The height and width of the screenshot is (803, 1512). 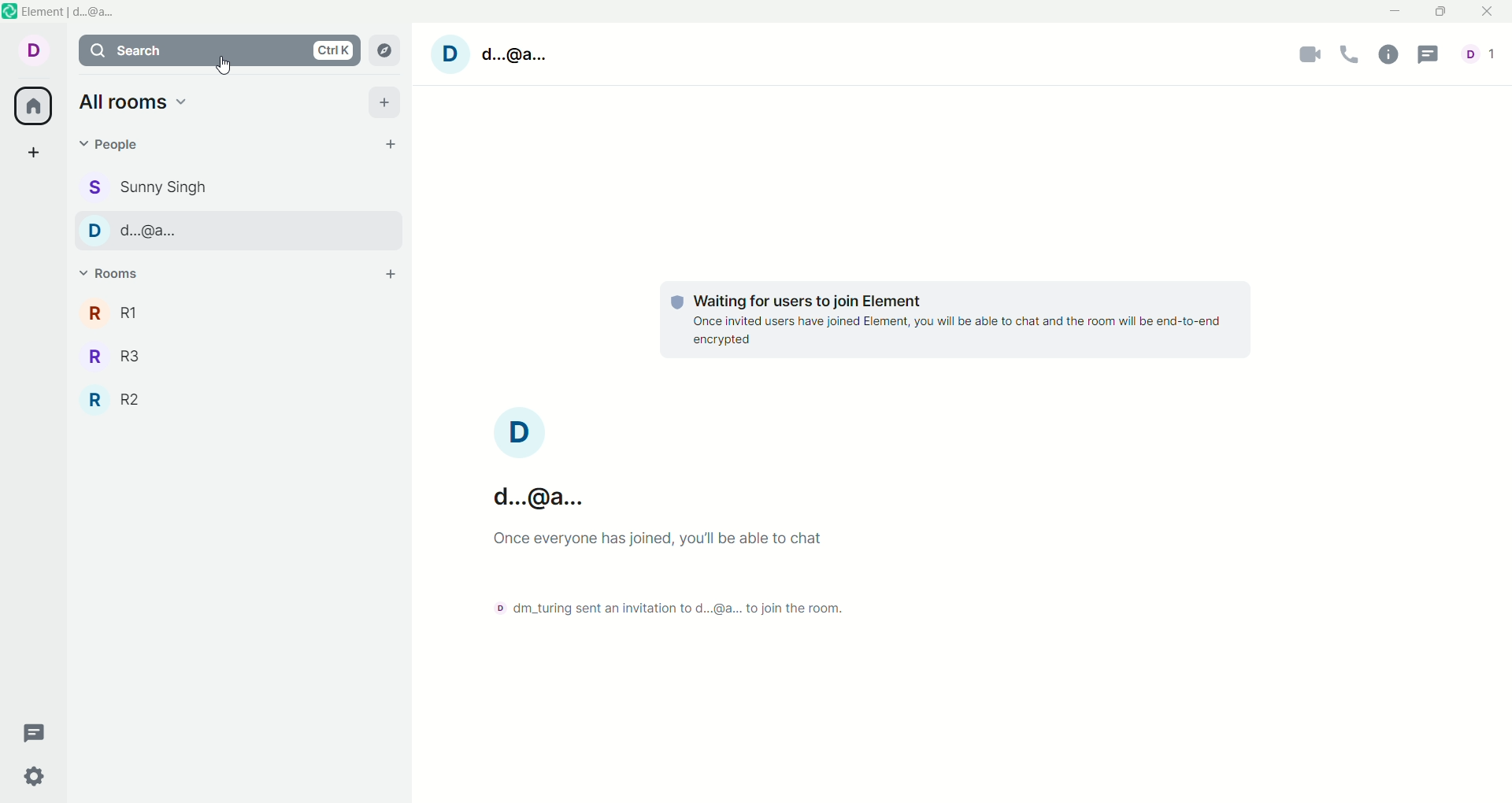 What do you see at coordinates (1483, 13) in the screenshot?
I see `close` at bounding box center [1483, 13].